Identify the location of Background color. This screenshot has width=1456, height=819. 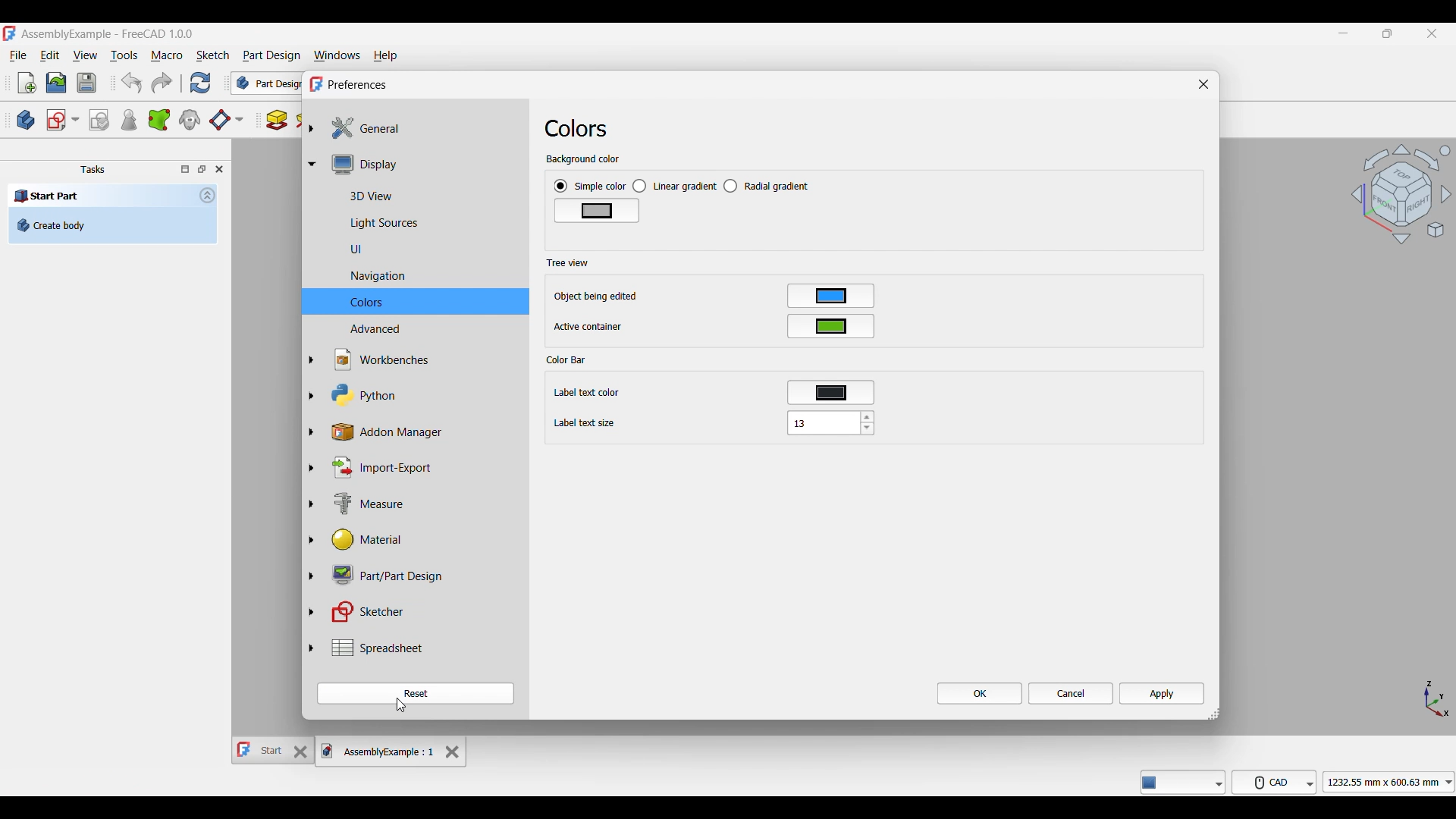
(582, 159).